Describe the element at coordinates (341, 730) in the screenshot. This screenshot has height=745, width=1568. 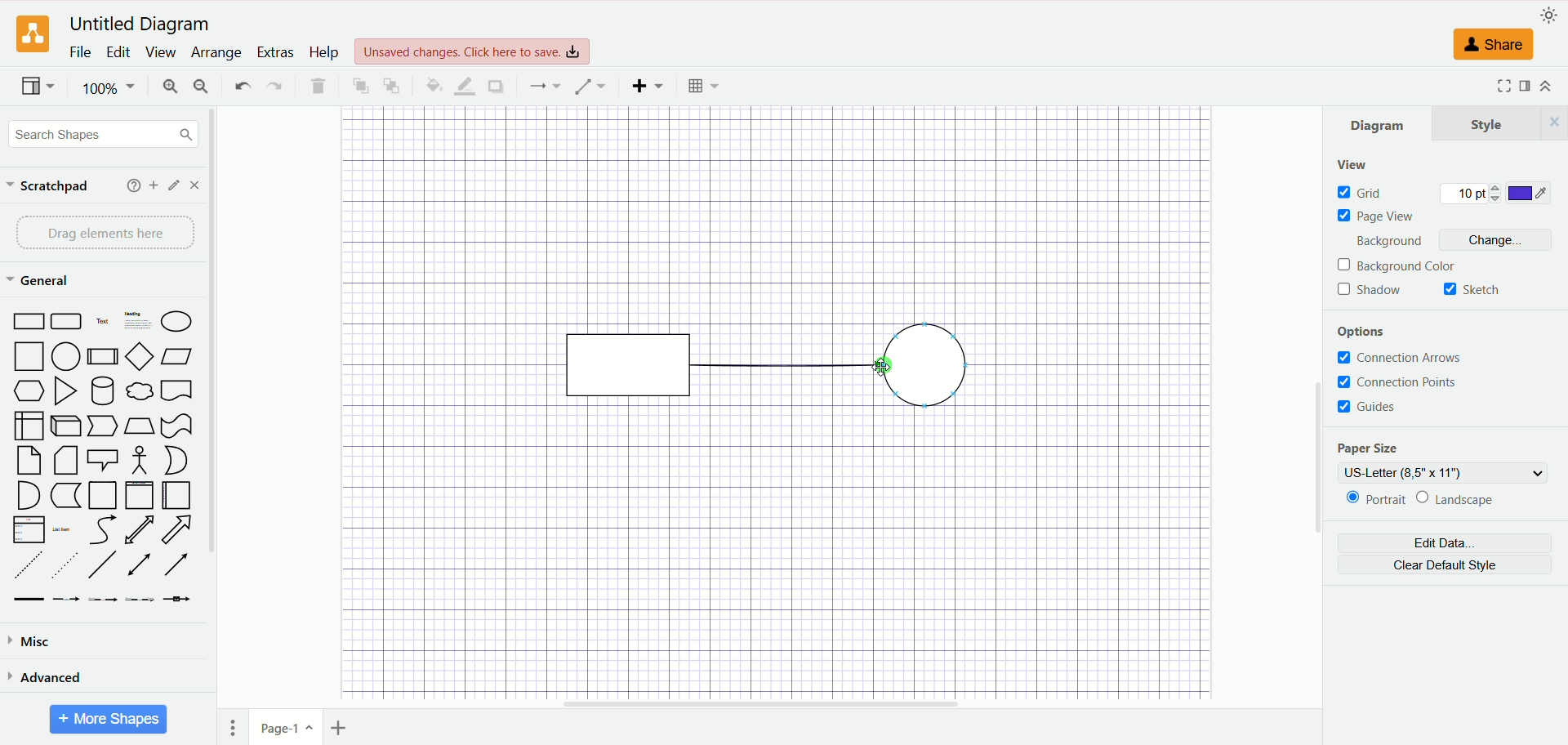
I see `insert page` at that location.